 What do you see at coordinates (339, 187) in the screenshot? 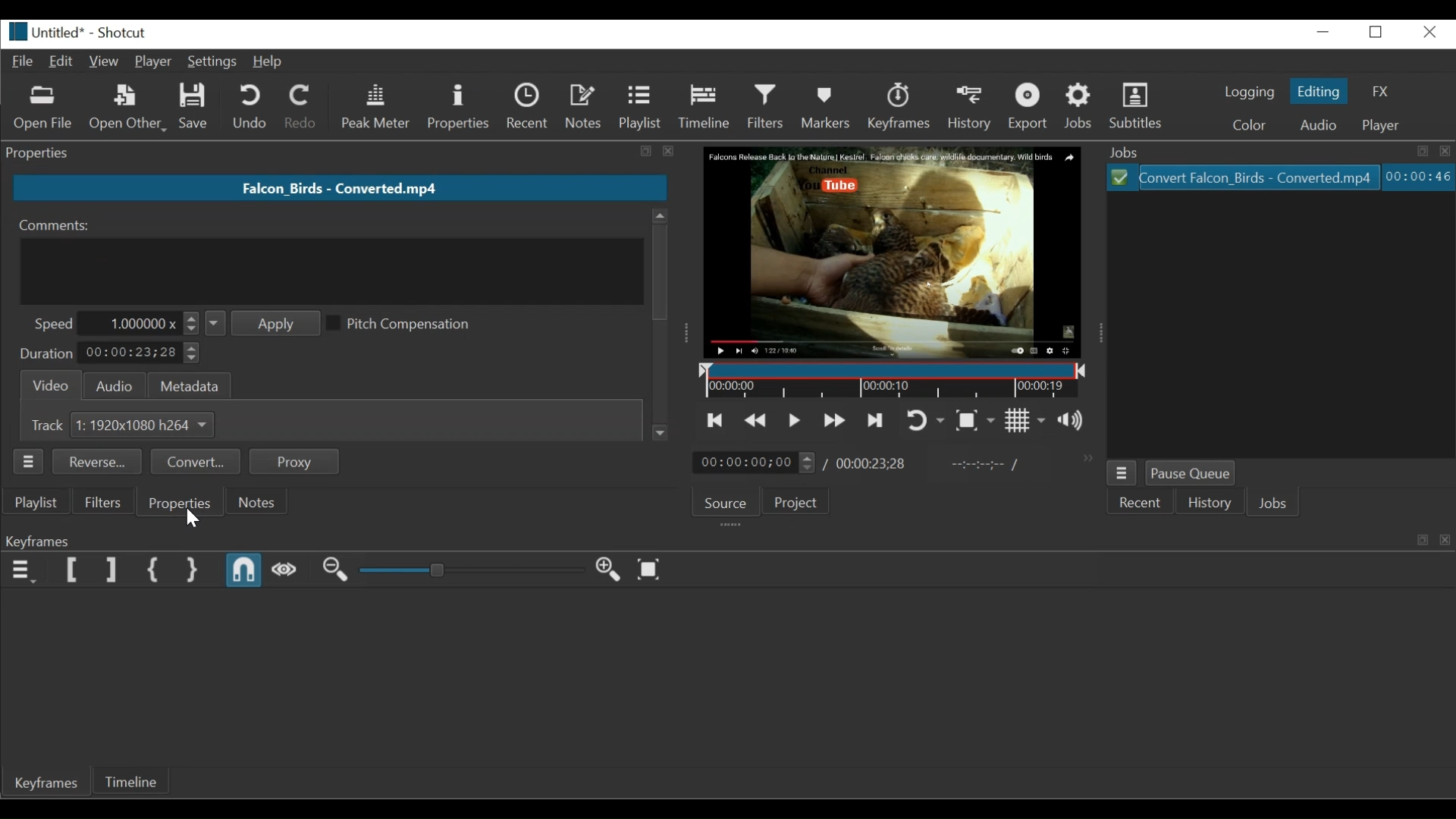
I see `File name` at bounding box center [339, 187].